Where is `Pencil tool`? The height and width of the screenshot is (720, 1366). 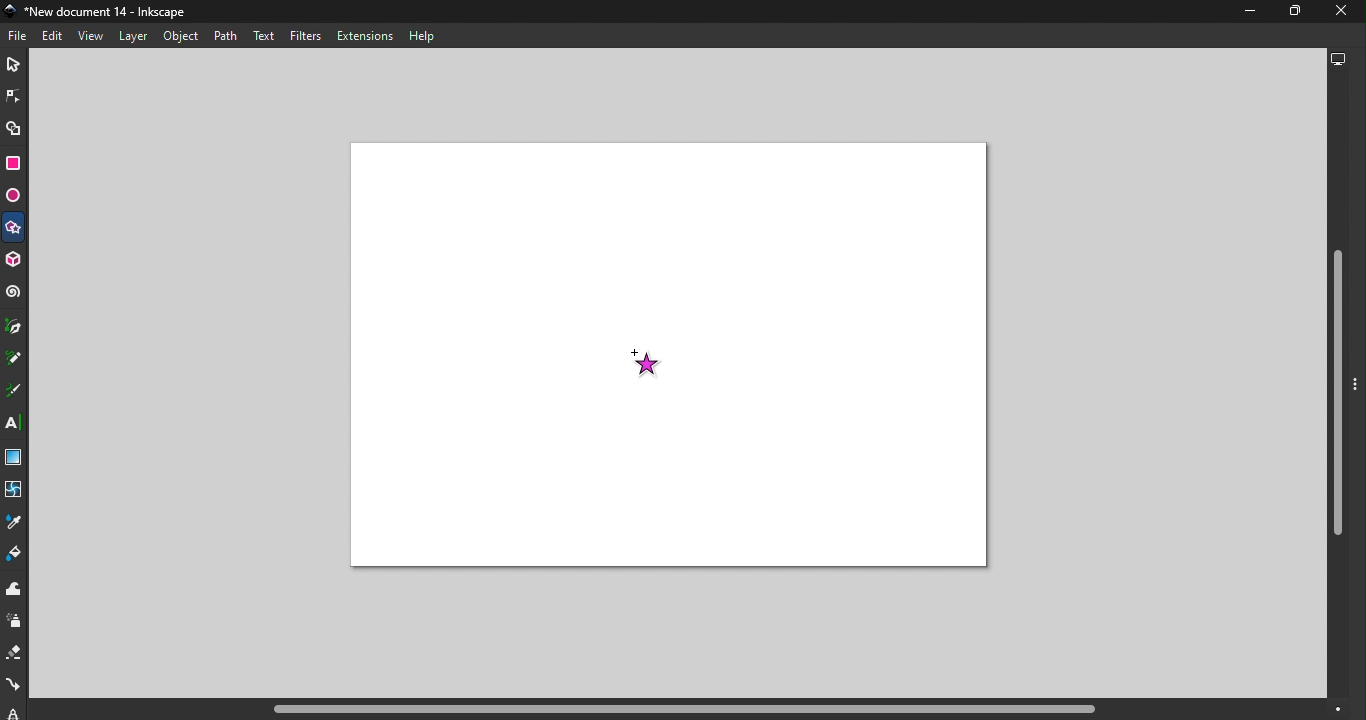
Pencil tool is located at coordinates (14, 361).